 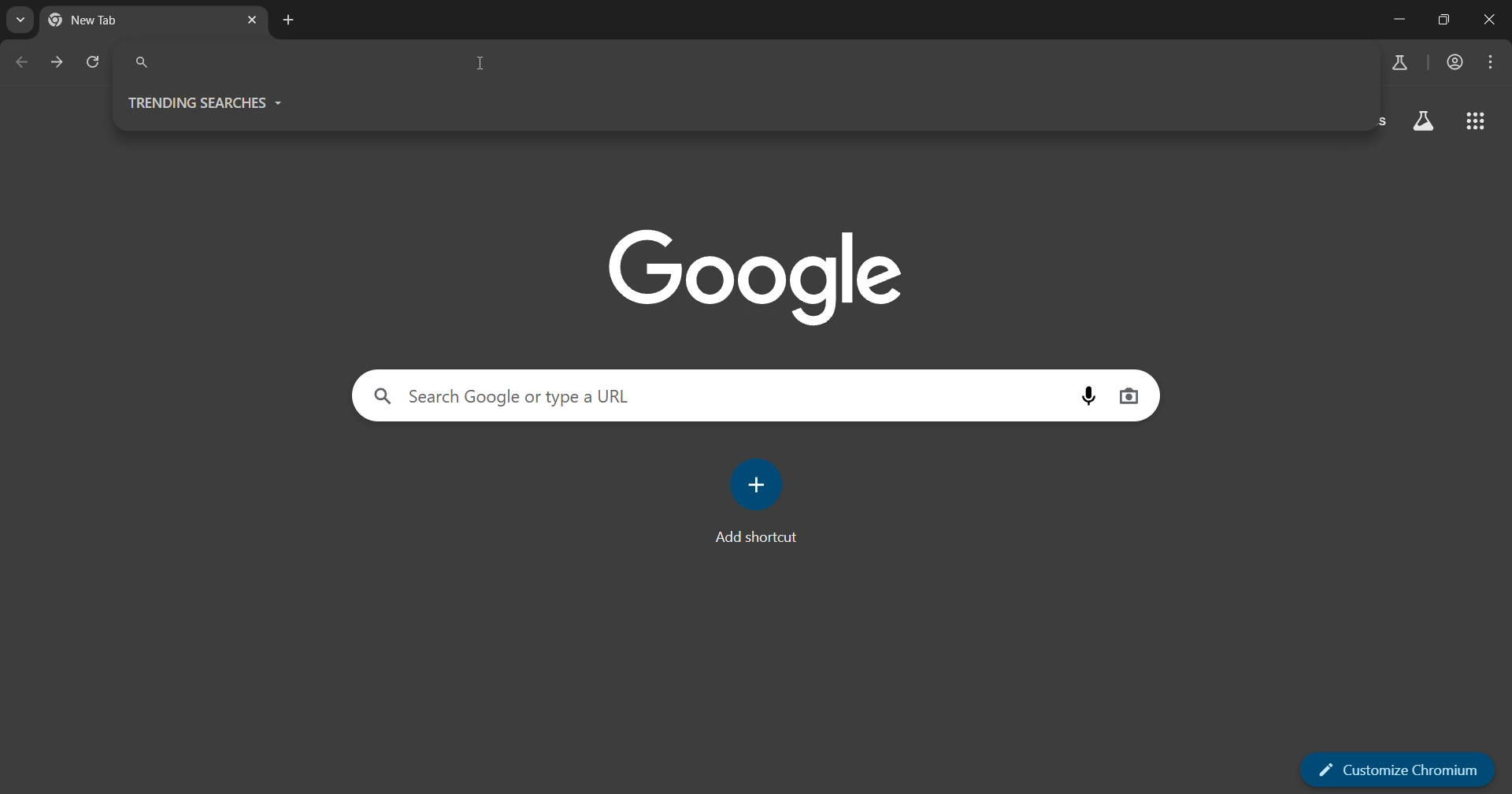 What do you see at coordinates (1421, 121) in the screenshot?
I see `search labs` at bounding box center [1421, 121].